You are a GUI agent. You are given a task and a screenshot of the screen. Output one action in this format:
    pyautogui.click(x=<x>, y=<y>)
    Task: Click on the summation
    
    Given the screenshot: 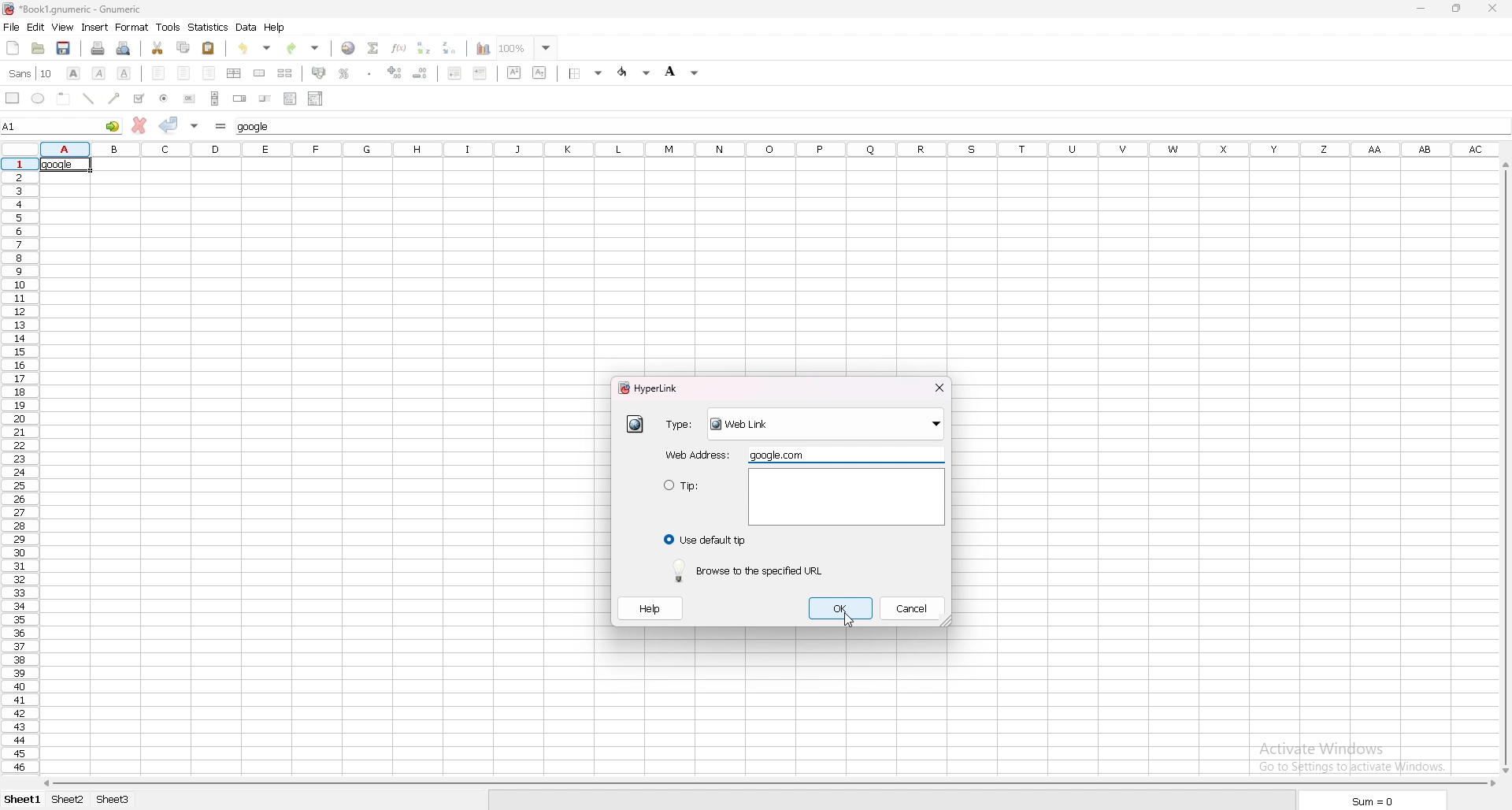 What is the action you would take?
    pyautogui.click(x=373, y=49)
    